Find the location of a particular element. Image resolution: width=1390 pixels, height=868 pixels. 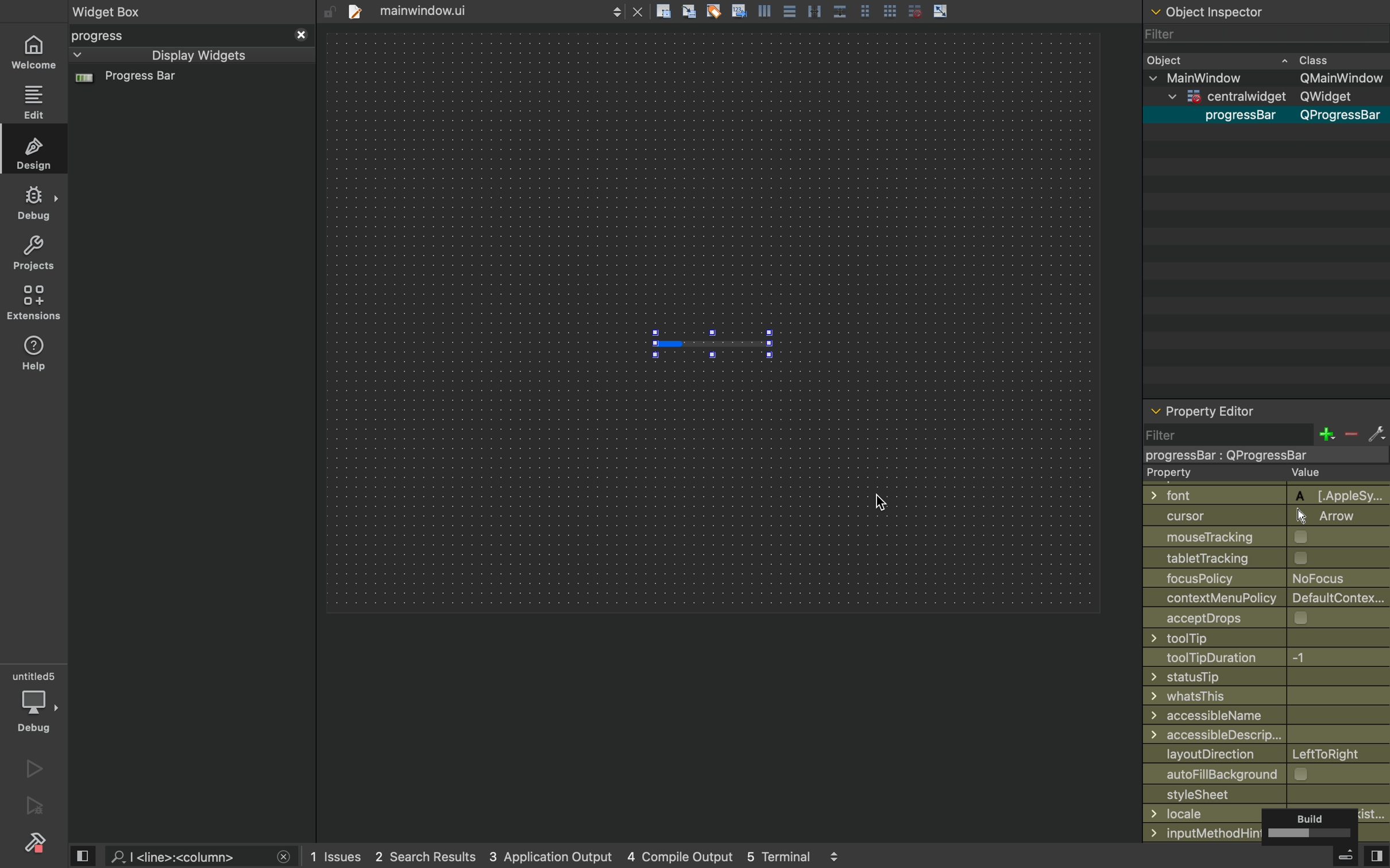

locale is located at coordinates (1267, 813).